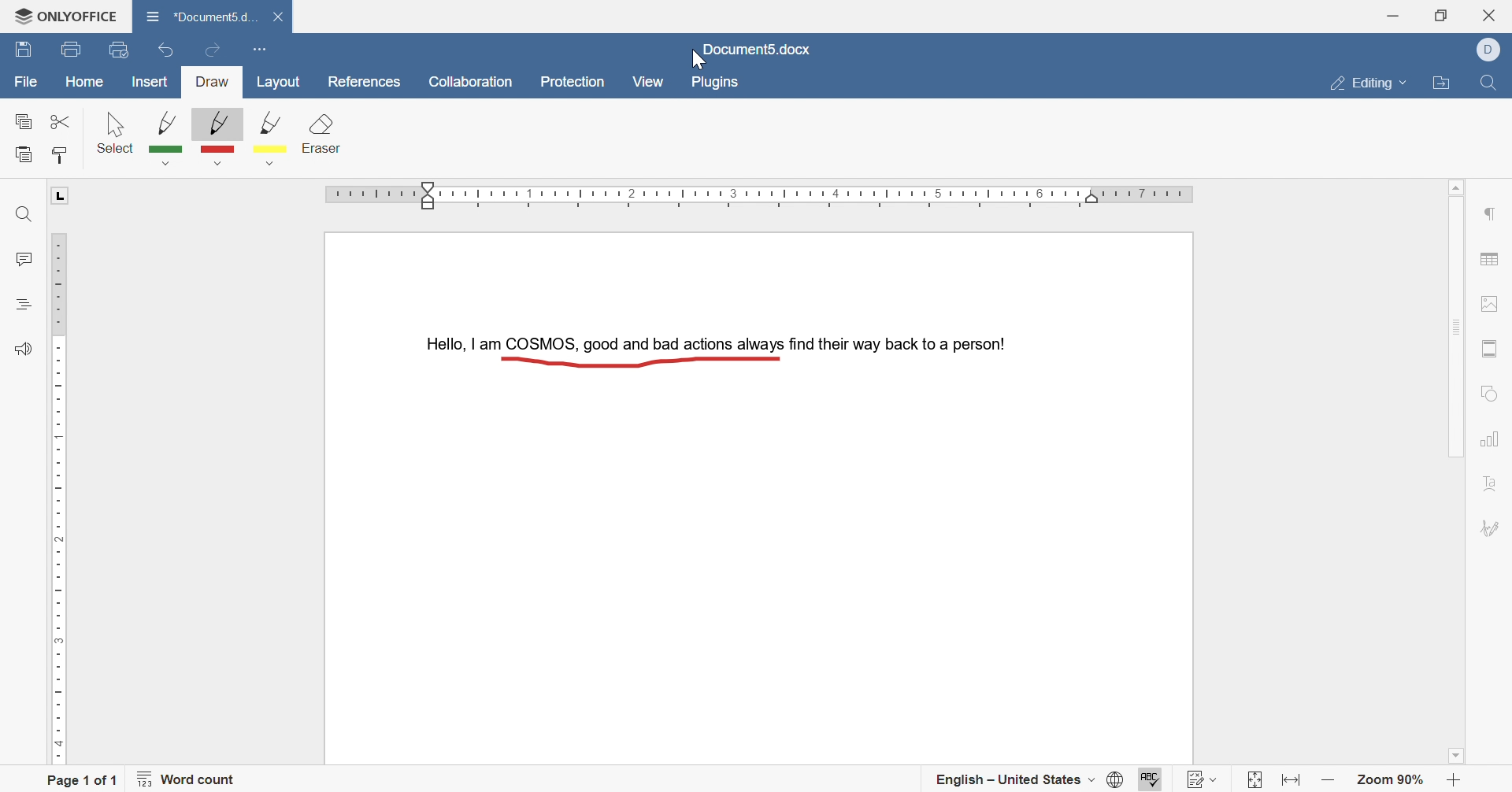 This screenshot has height=792, width=1512. I want to click on references, so click(362, 82).